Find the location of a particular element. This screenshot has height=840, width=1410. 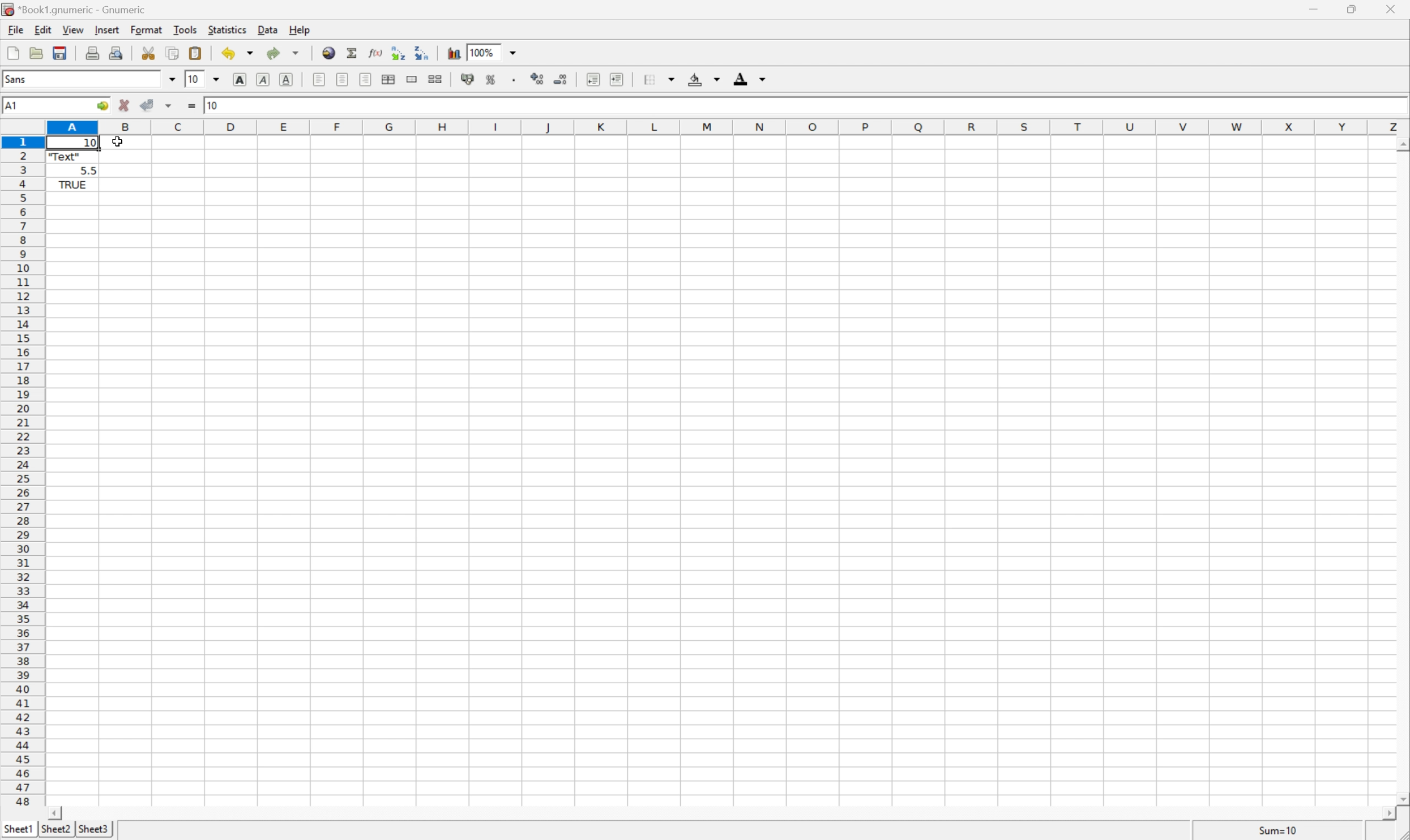

Increase indent, and align the contents to the left is located at coordinates (619, 79).